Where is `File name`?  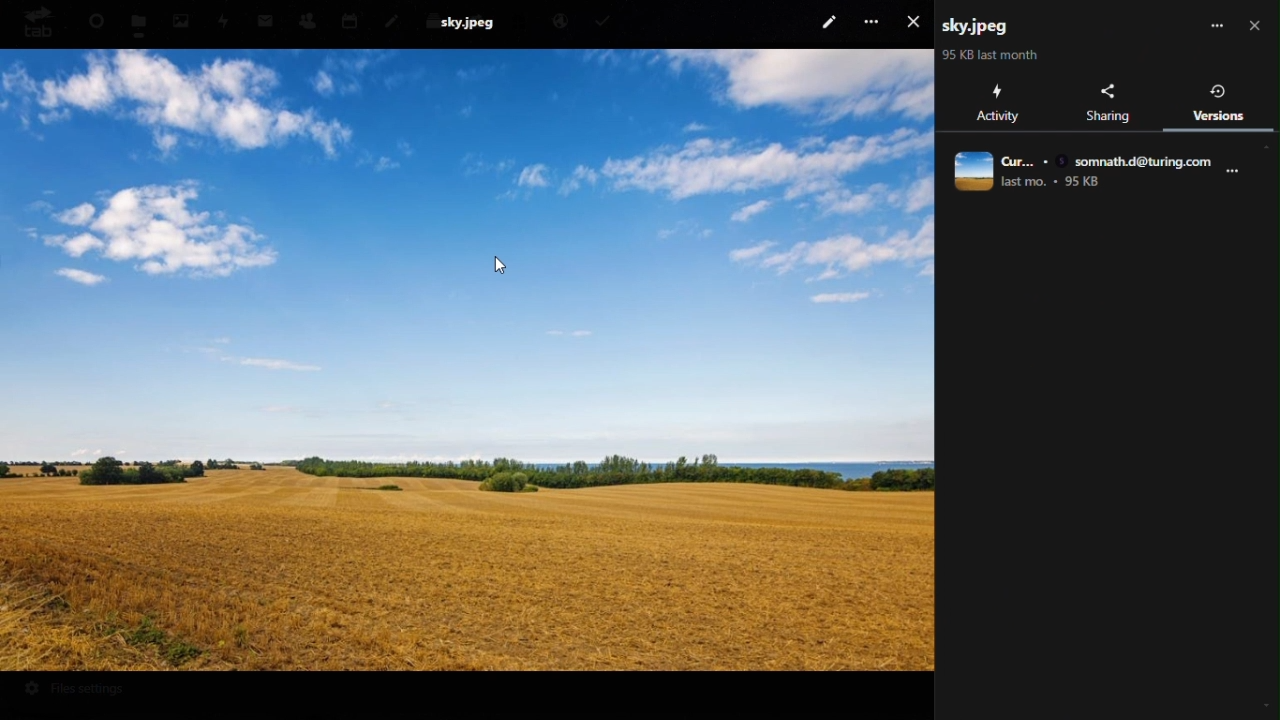 File name is located at coordinates (468, 21).